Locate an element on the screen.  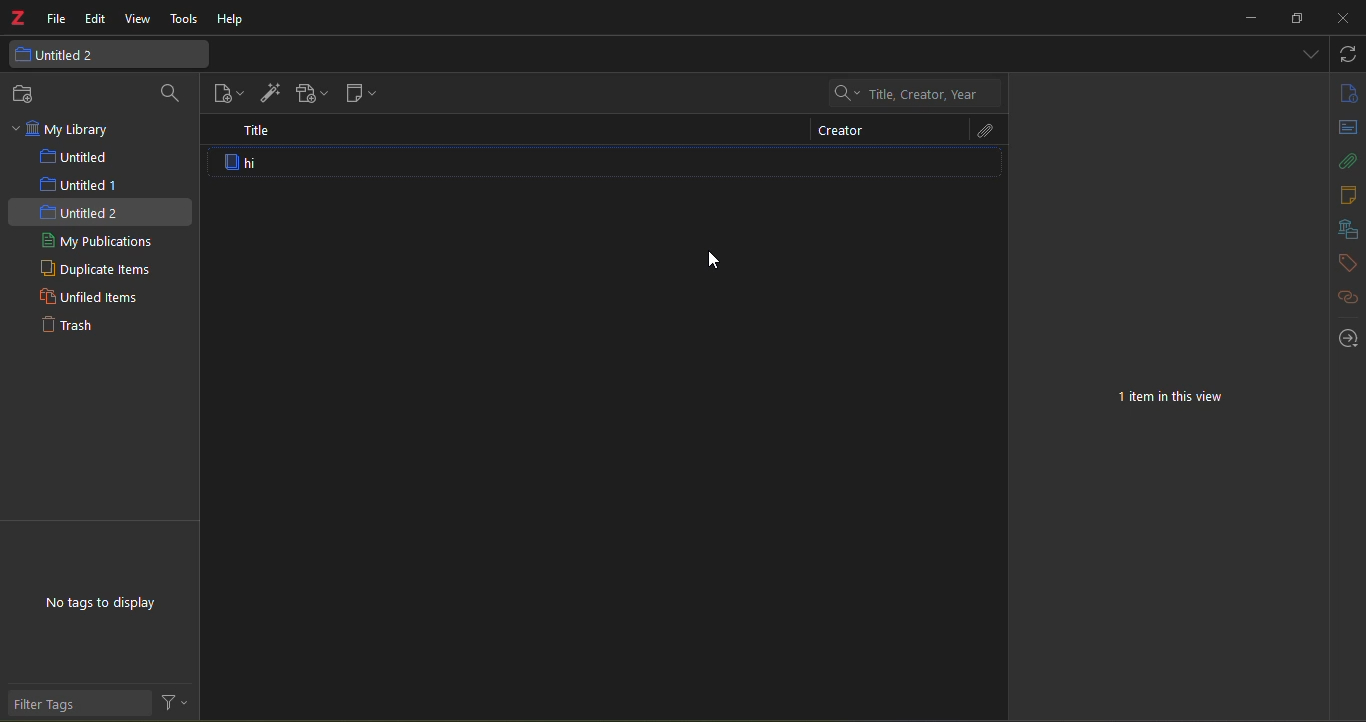
attach is located at coordinates (980, 130).